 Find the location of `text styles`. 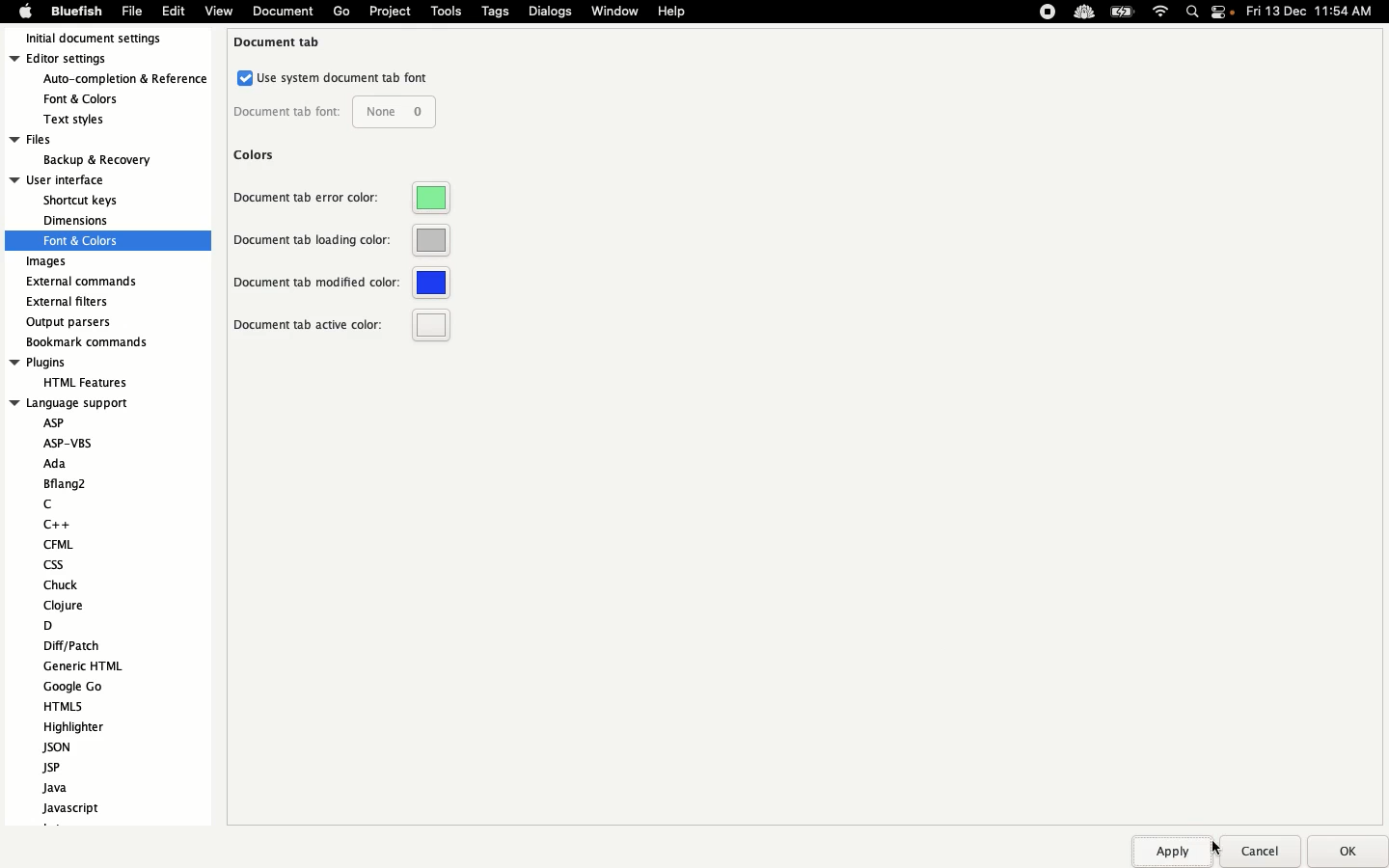

text styles is located at coordinates (87, 120).